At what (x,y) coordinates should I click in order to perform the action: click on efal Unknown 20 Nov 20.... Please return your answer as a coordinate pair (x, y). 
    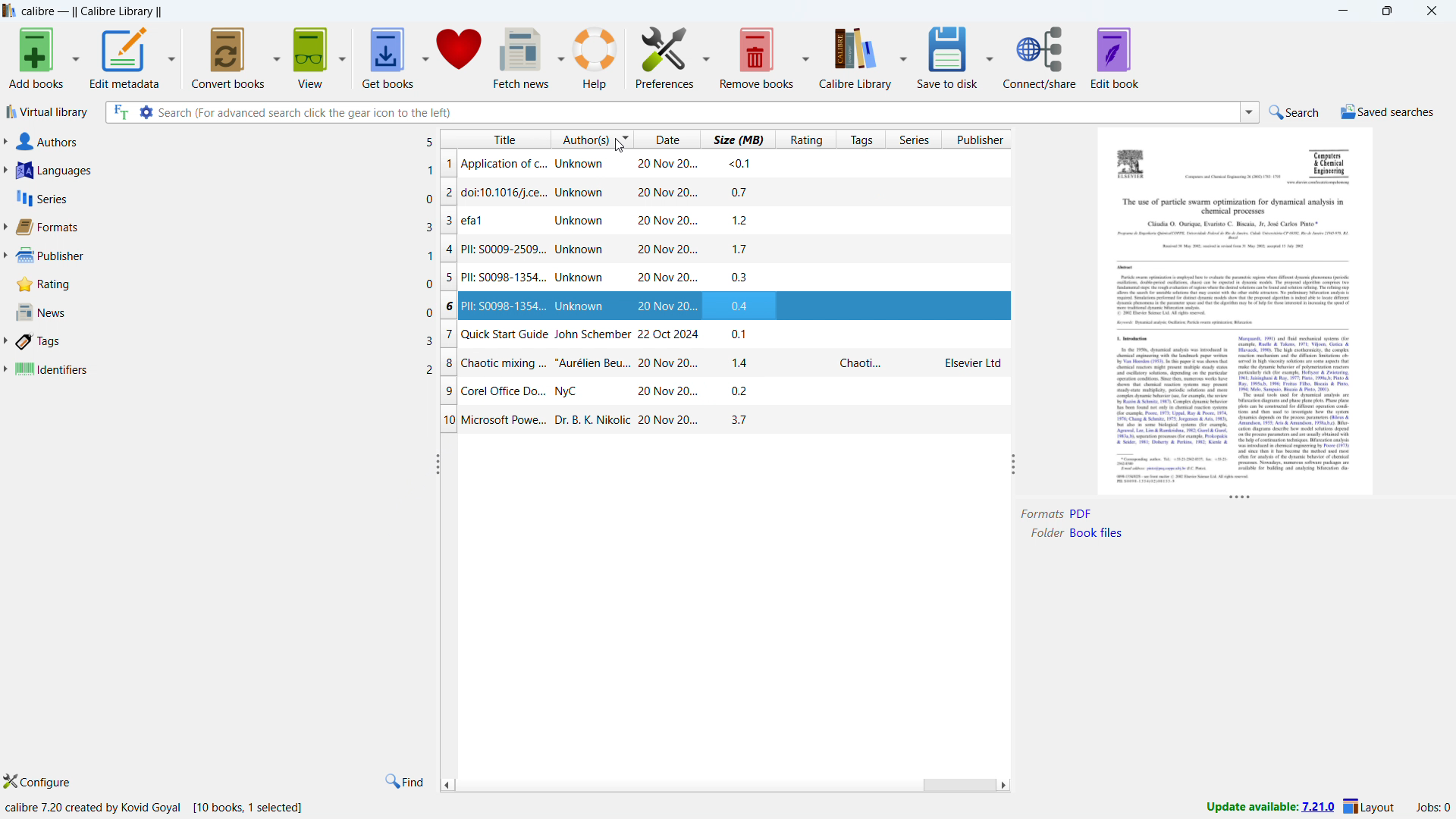
    Looking at the image, I should click on (585, 224).